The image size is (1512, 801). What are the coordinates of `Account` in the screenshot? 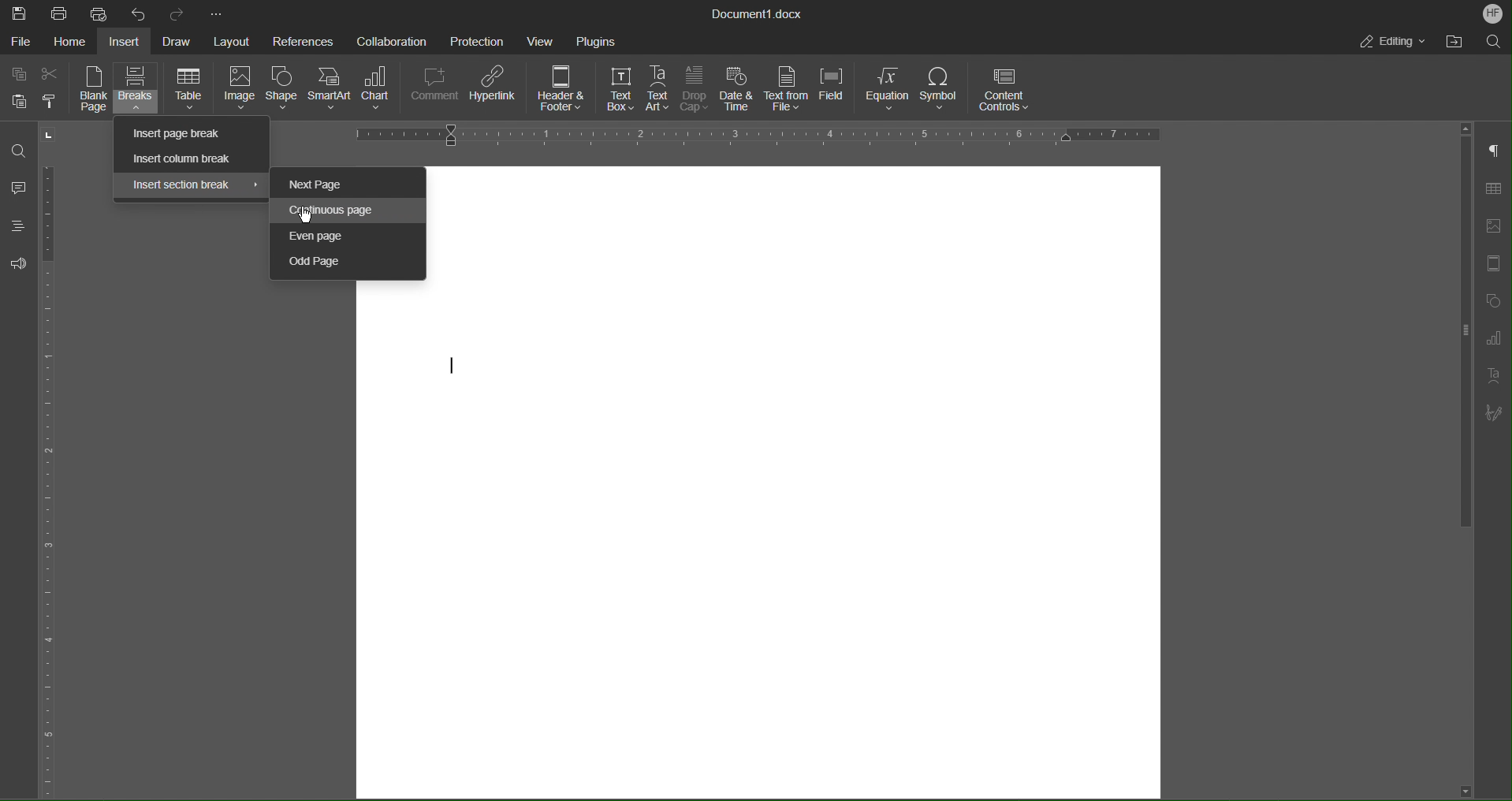 It's located at (1492, 14).